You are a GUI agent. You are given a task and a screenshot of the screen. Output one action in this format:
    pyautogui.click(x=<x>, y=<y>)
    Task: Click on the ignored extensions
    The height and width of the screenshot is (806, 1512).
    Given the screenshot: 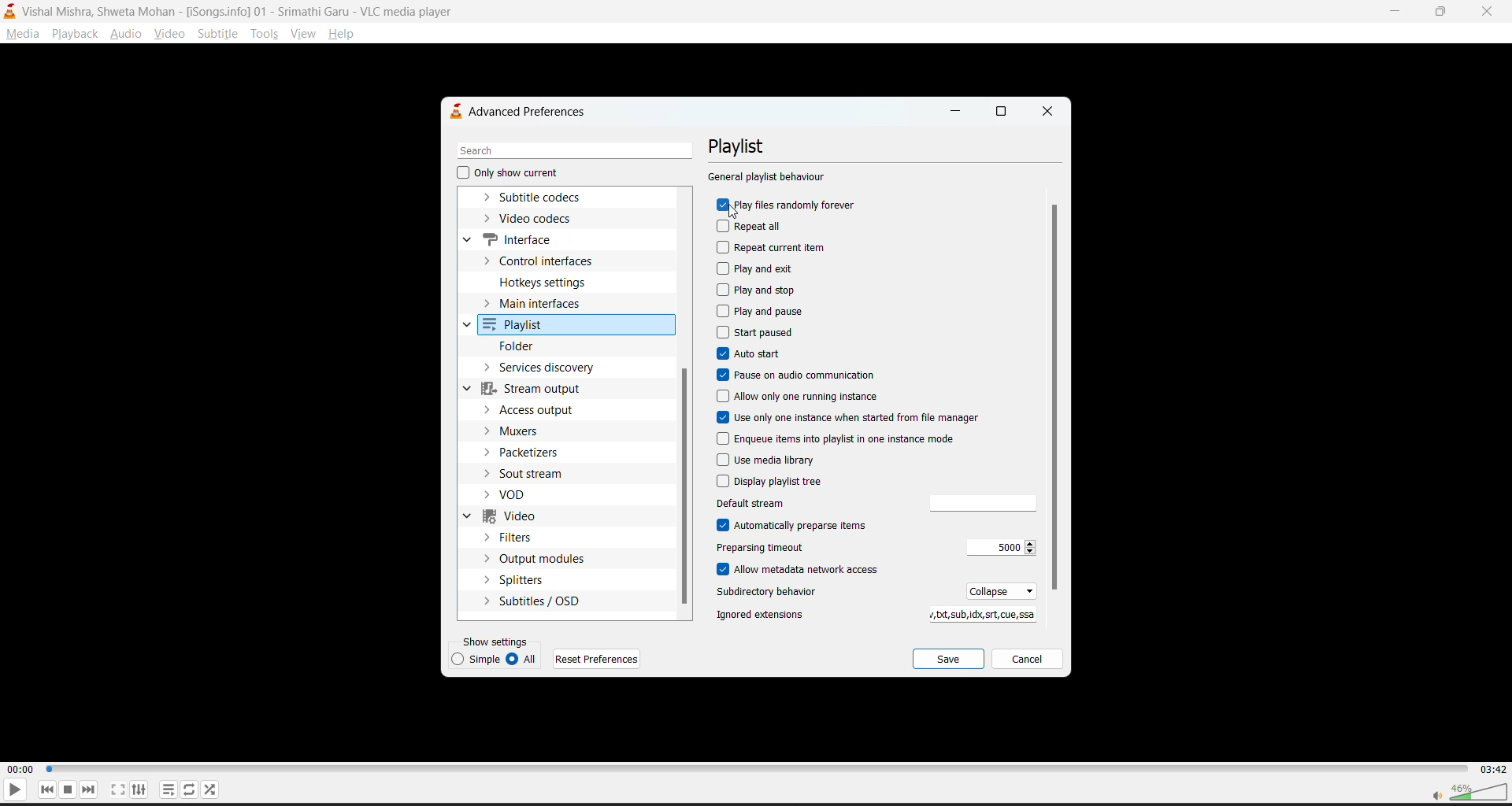 What is the action you would take?
    pyautogui.click(x=875, y=617)
    